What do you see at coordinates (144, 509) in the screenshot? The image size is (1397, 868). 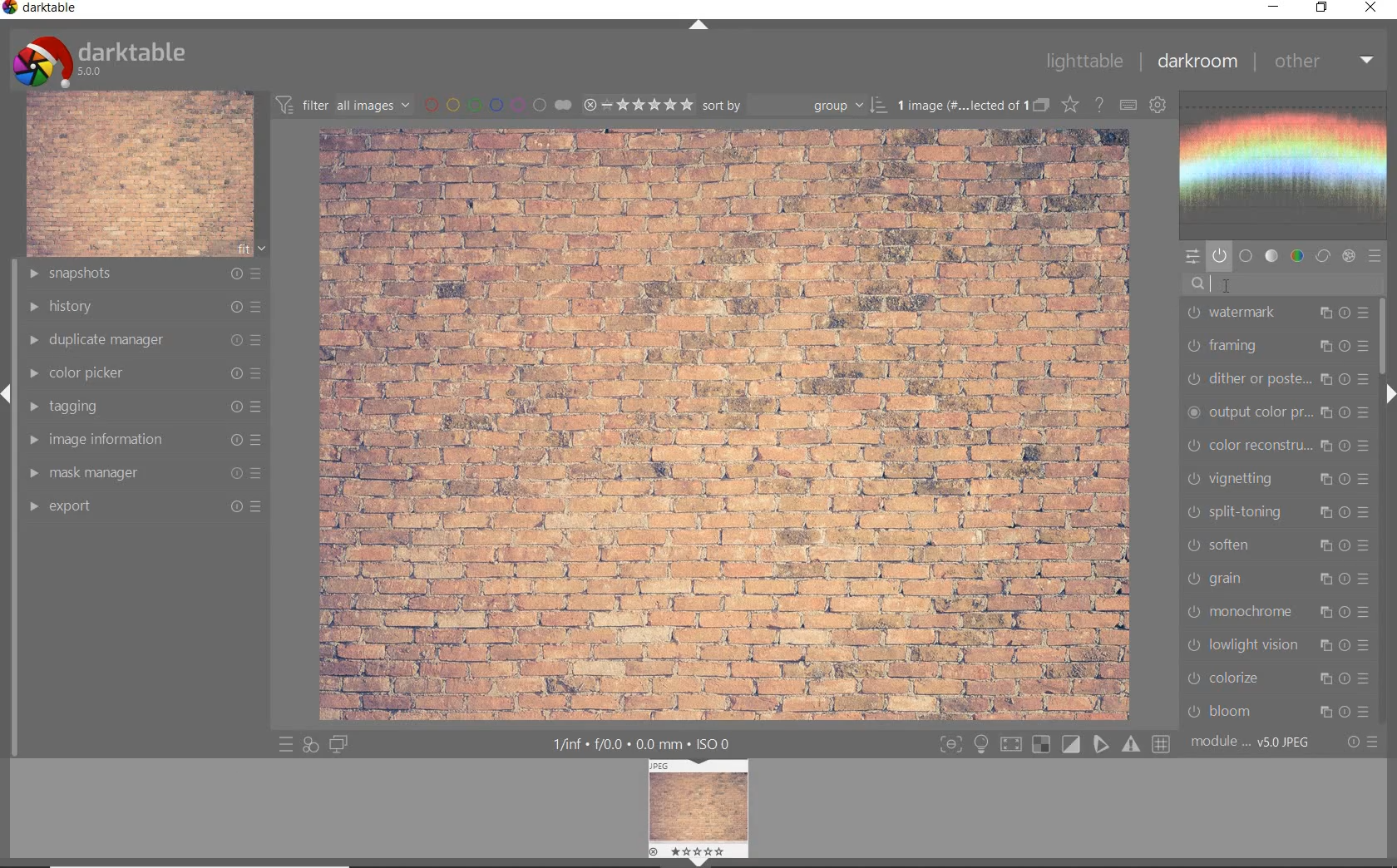 I see `export` at bounding box center [144, 509].